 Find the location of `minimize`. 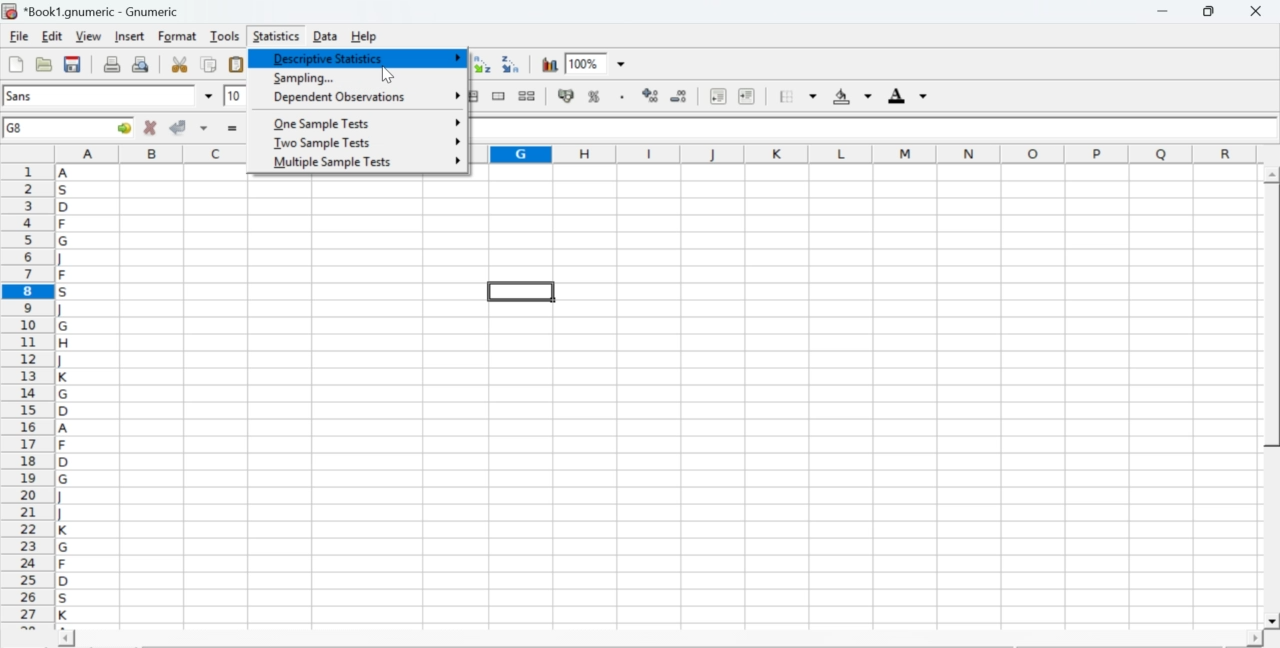

minimize is located at coordinates (1164, 11).